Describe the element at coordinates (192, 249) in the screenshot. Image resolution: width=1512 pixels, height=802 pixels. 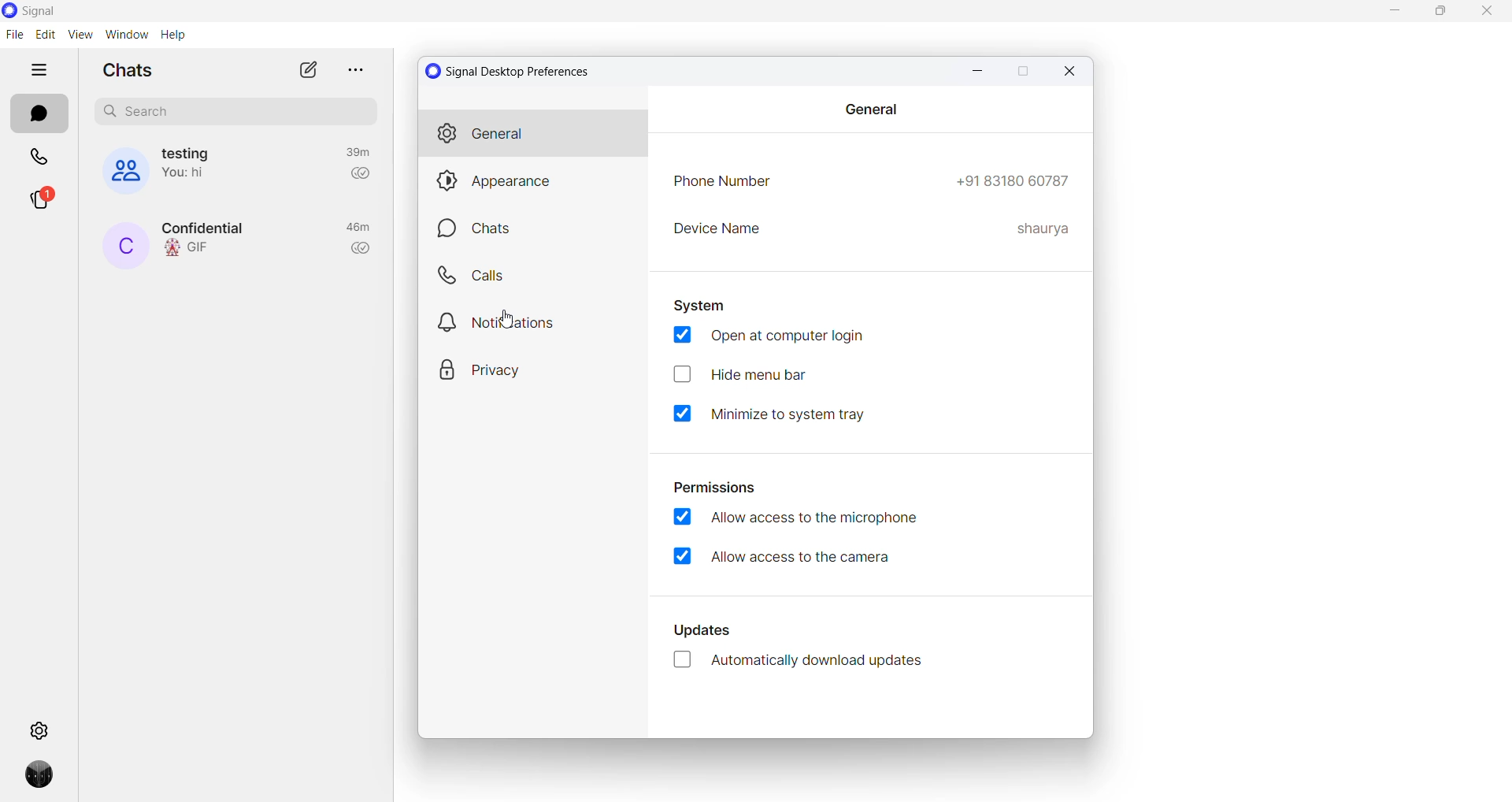
I see `last message` at that location.